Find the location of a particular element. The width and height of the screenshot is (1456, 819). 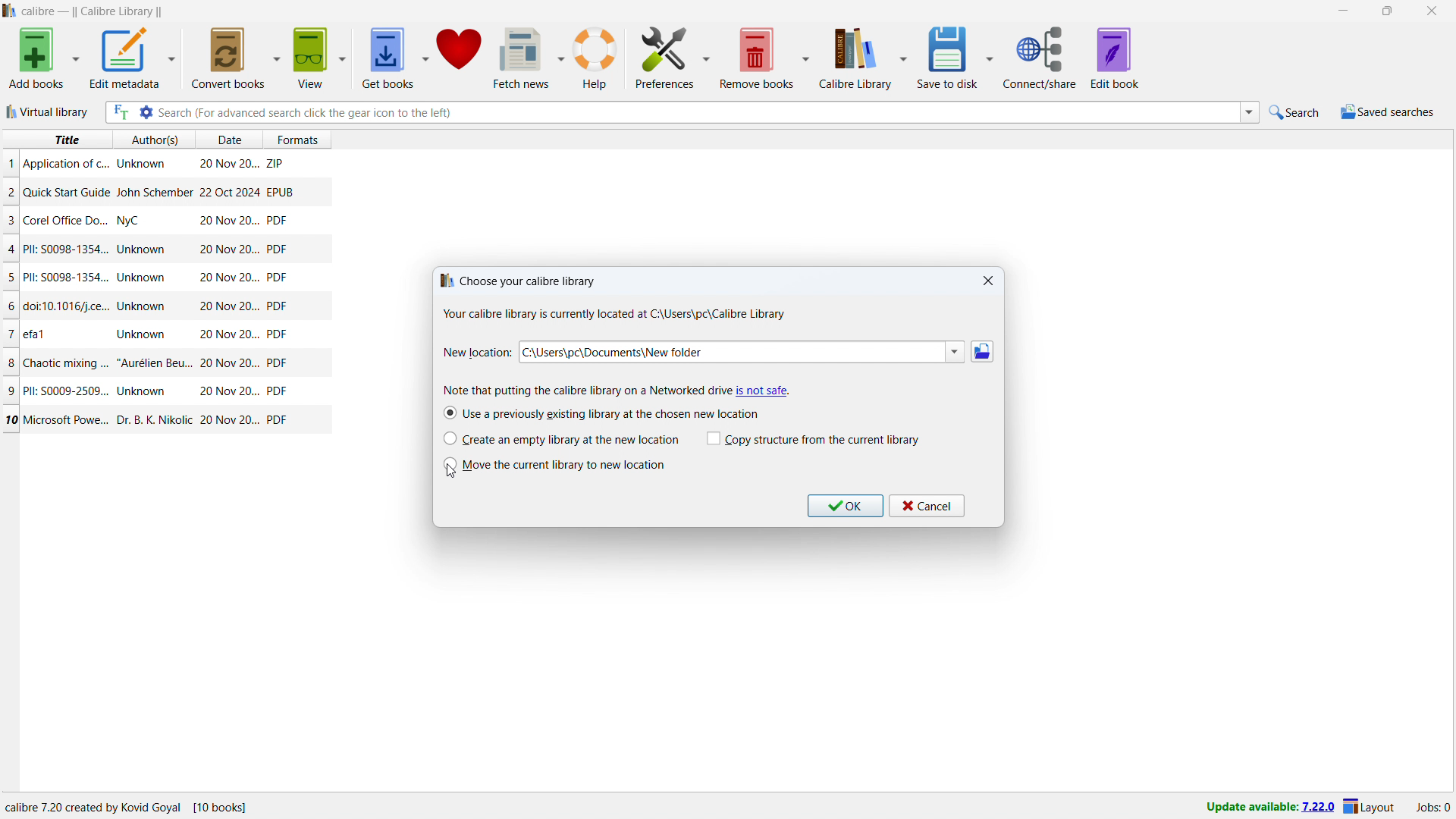

Date is located at coordinates (229, 278).